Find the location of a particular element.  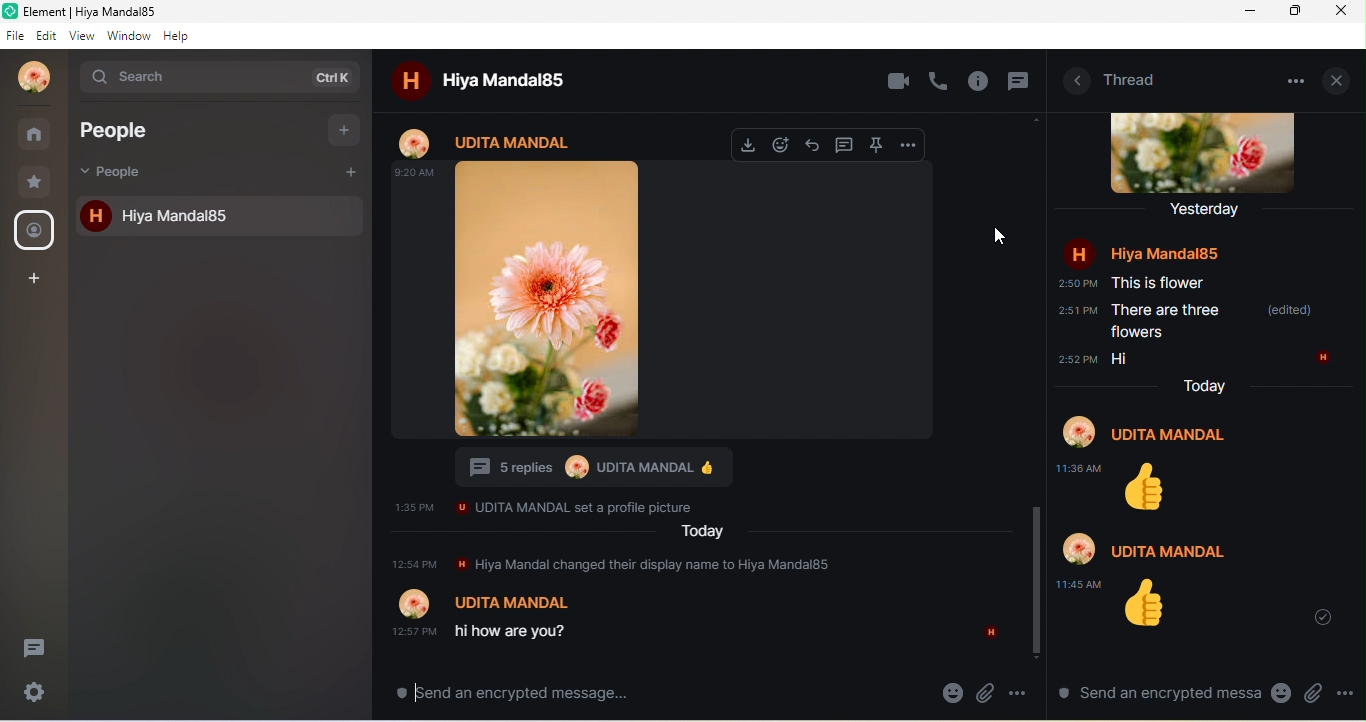

There are three flowers is located at coordinates (1168, 322).